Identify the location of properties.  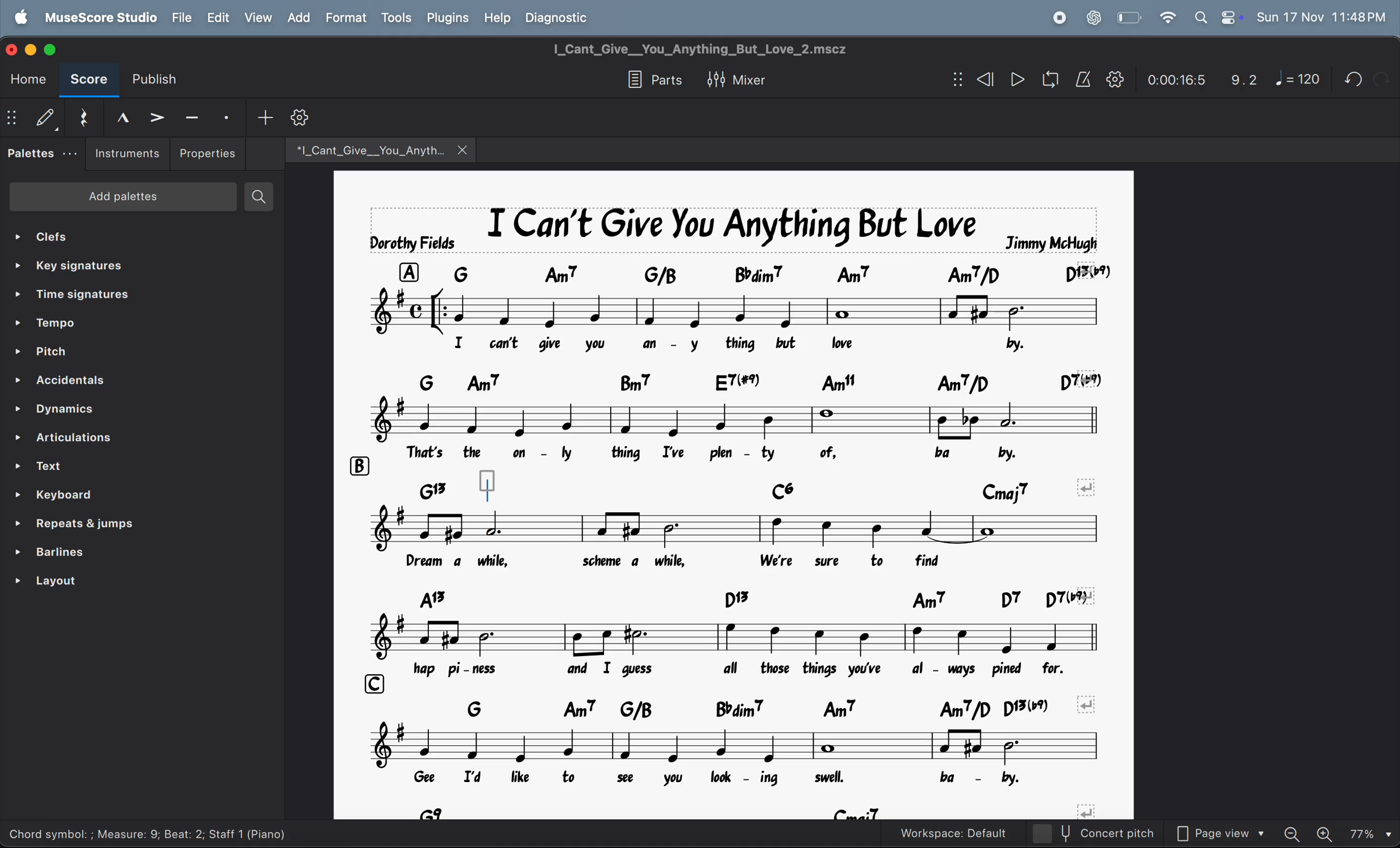
(210, 153).